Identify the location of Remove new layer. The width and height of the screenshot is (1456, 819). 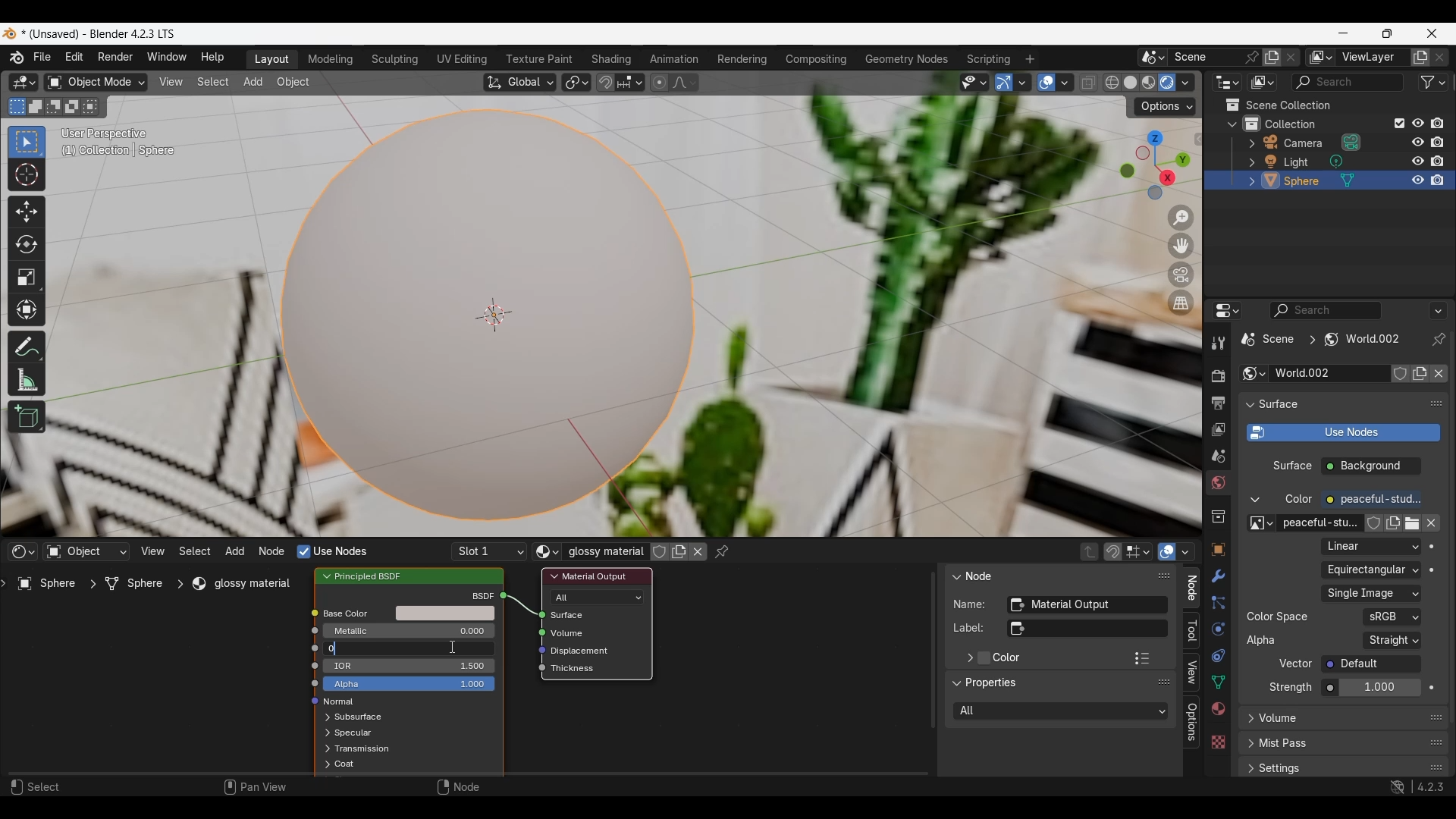
(1440, 58).